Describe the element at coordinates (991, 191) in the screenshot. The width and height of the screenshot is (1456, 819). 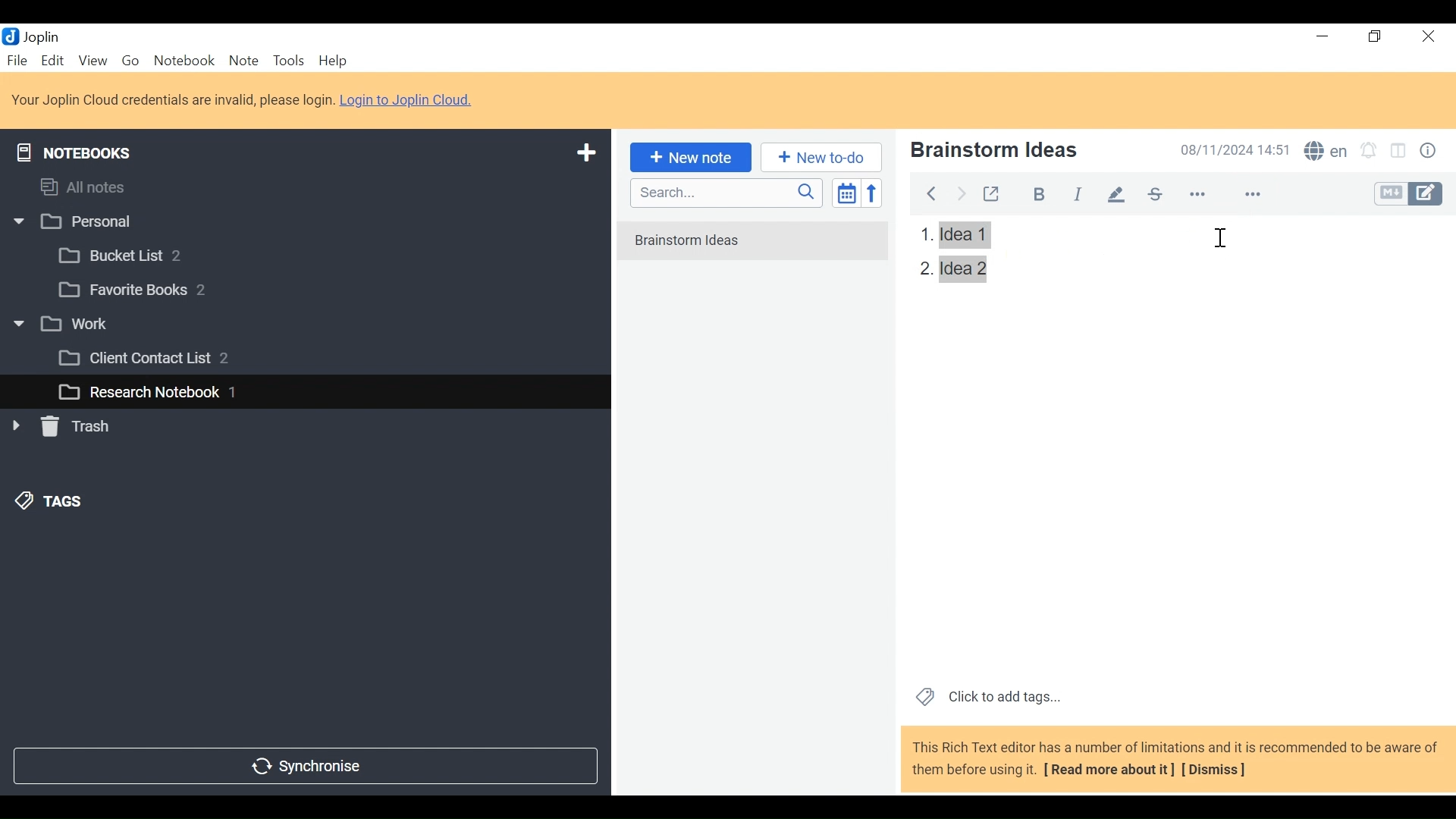
I see `Toggle external editing` at that location.